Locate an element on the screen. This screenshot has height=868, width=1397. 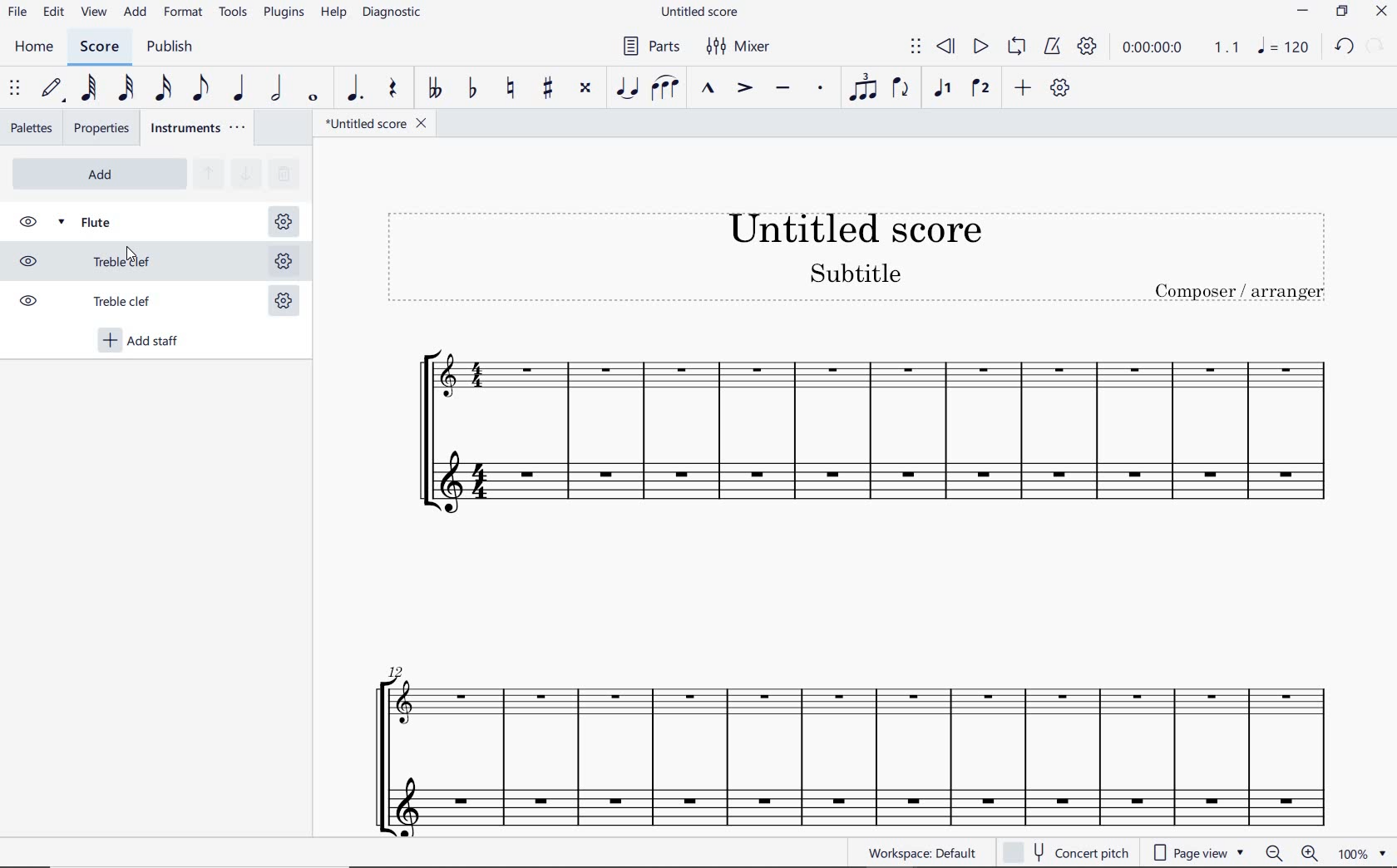
edit is located at coordinates (53, 14).